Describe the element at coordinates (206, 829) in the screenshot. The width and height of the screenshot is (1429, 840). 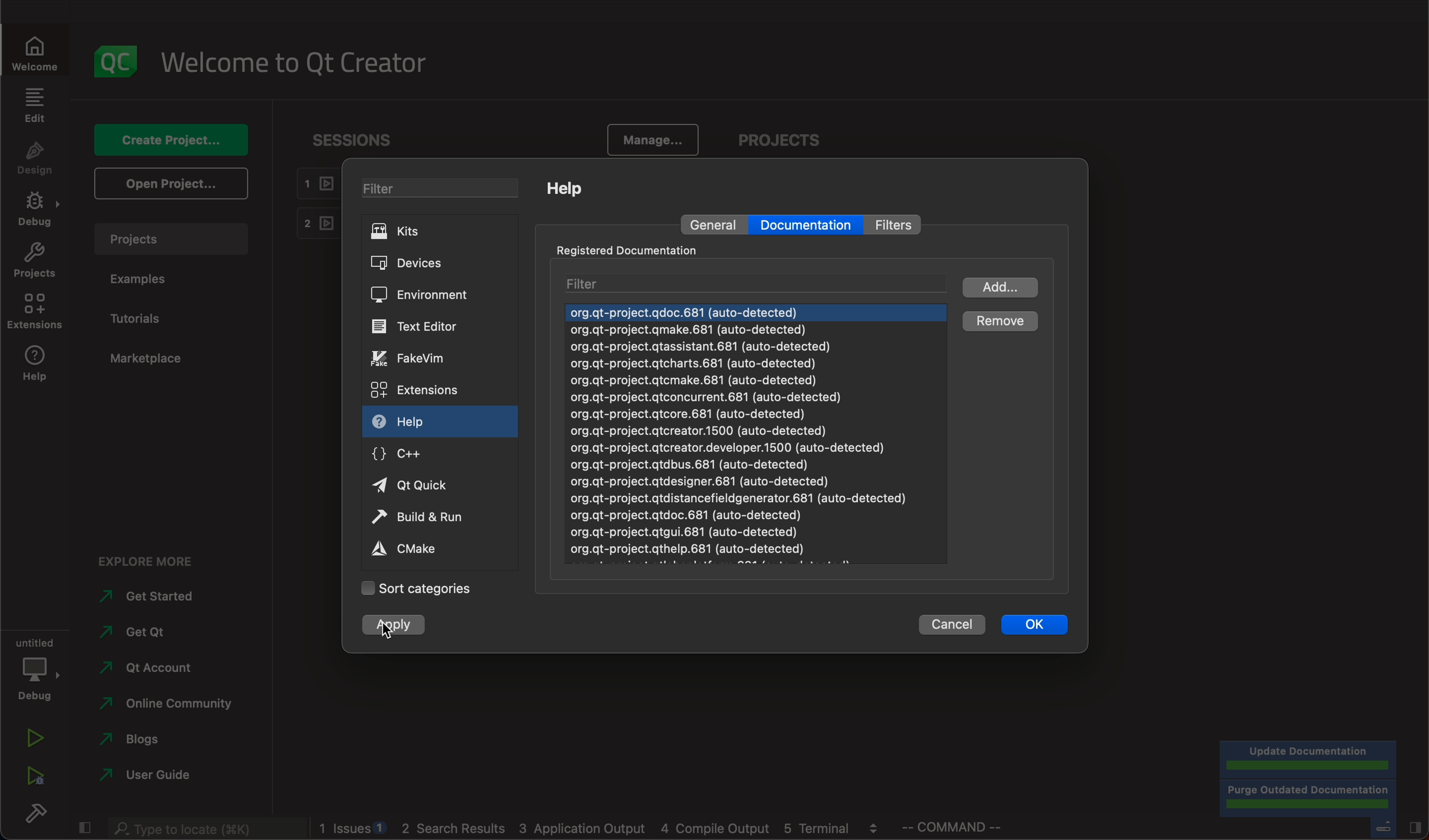
I see `search bar` at that location.